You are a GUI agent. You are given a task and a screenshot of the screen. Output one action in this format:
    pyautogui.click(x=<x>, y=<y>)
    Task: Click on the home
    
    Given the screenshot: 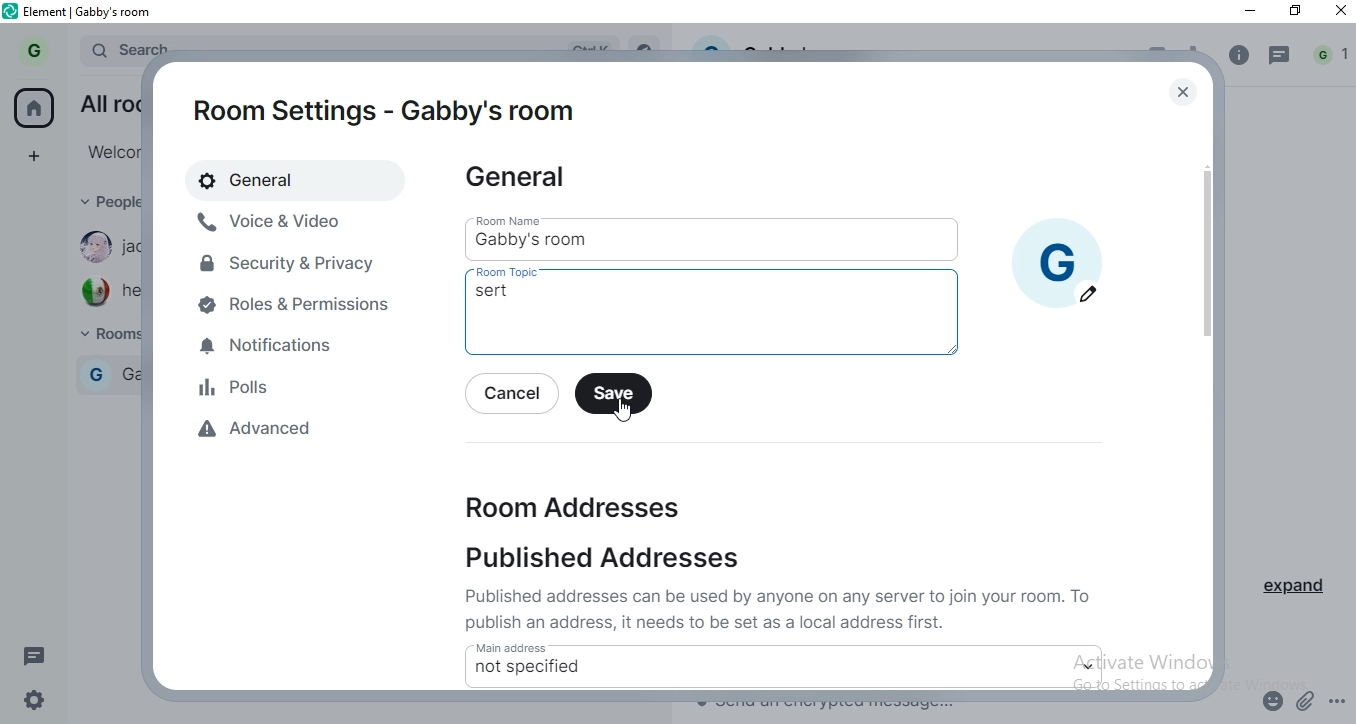 What is the action you would take?
    pyautogui.click(x=35, y=107)
    